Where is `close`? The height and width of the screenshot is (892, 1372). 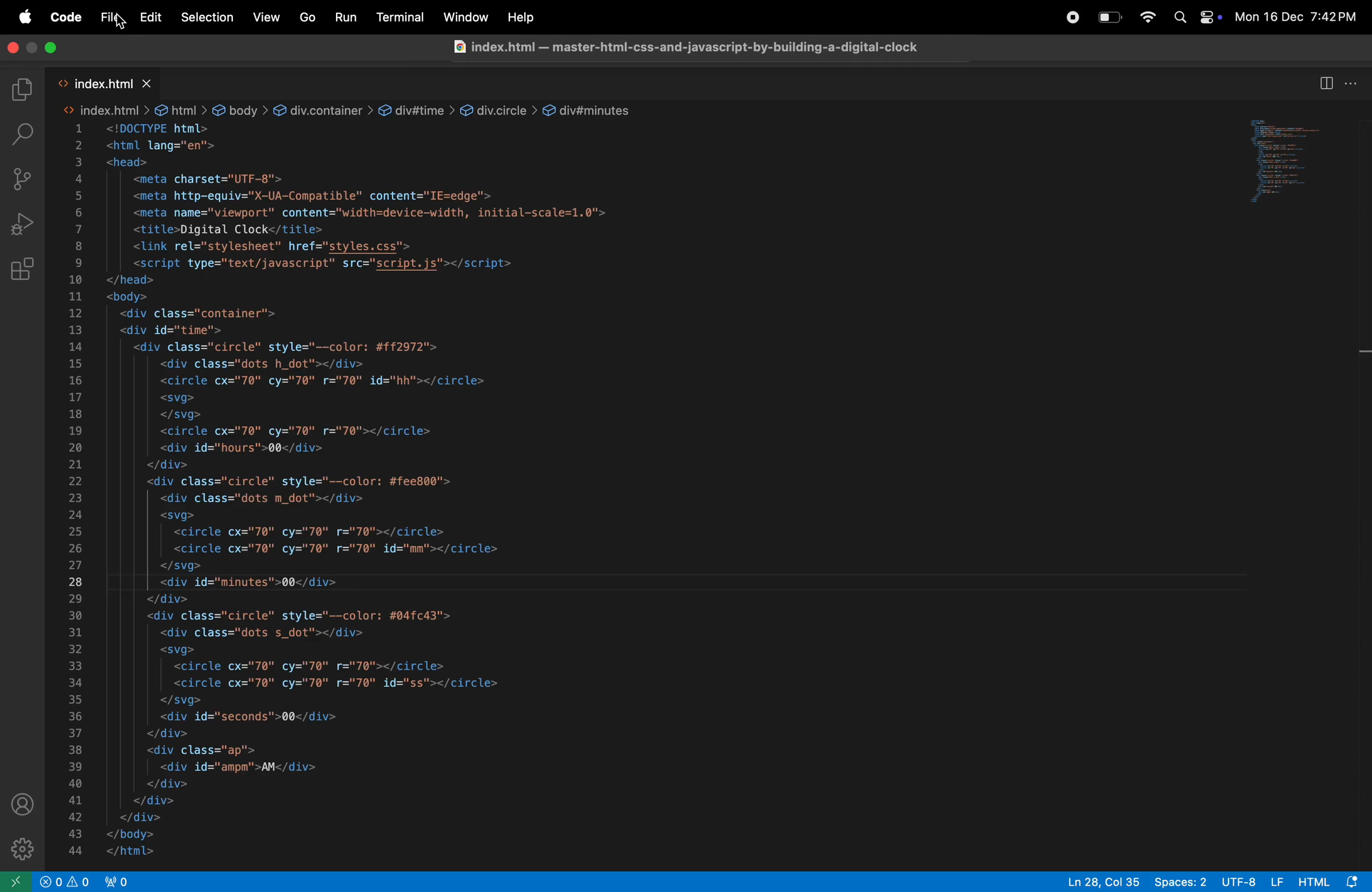 close is located at coordinates (14, 49).